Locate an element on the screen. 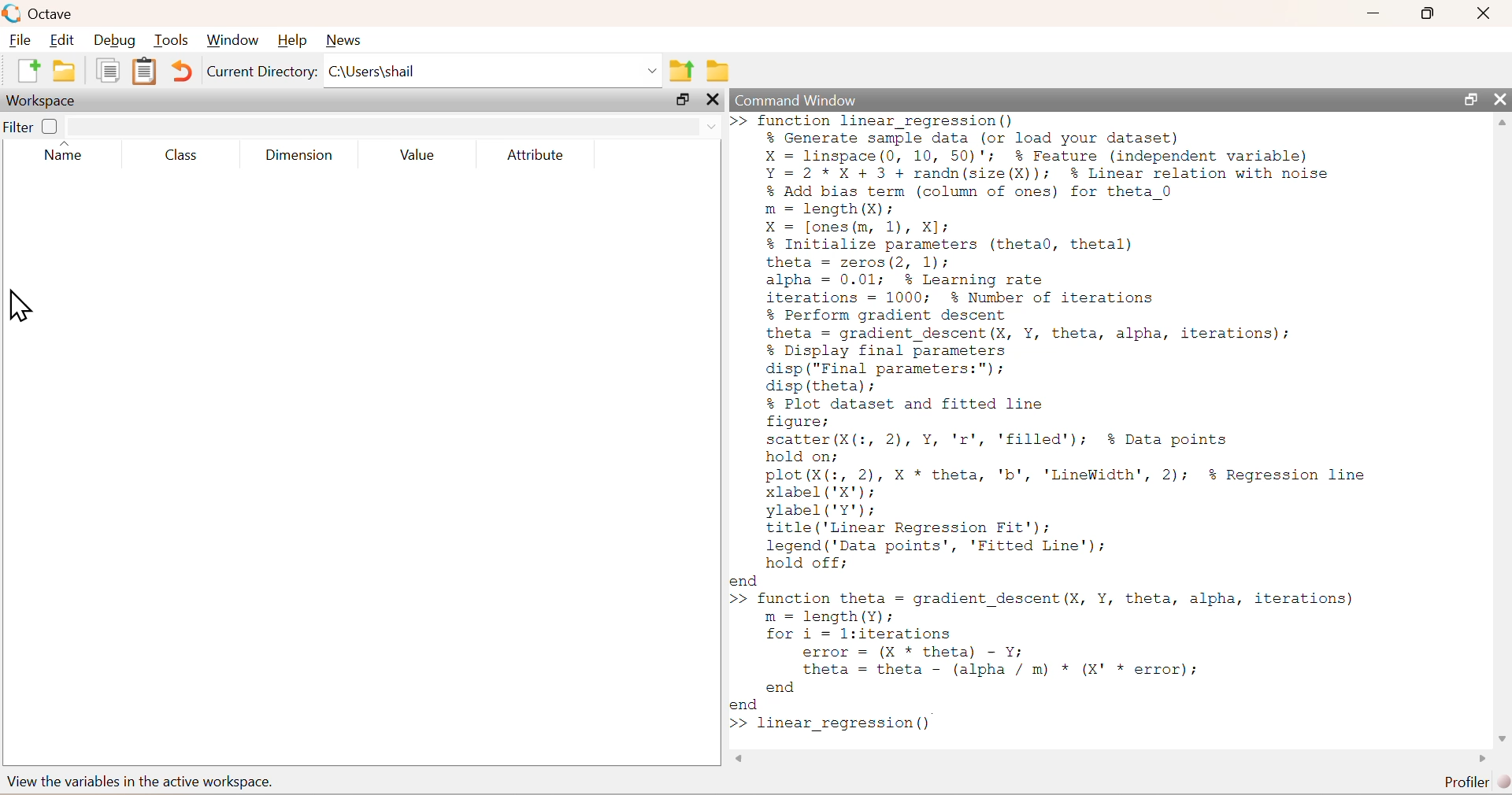 The width and height of the screenshot is (1512, 795). % Plot dataset and fitted linefigure;scatter (X(:, 2), Y, 'r', 'filled'); % Data pointshold on;plot(X(:, 2), X * theta, 'b', 'LineWidth', 2); $% Regression linexlabel ('X');ylabel('Y');title ('Linear Regression Fit');legend ('Data points’, 'Fitted Line');hold off;end is located at coordinates (1060, 493).